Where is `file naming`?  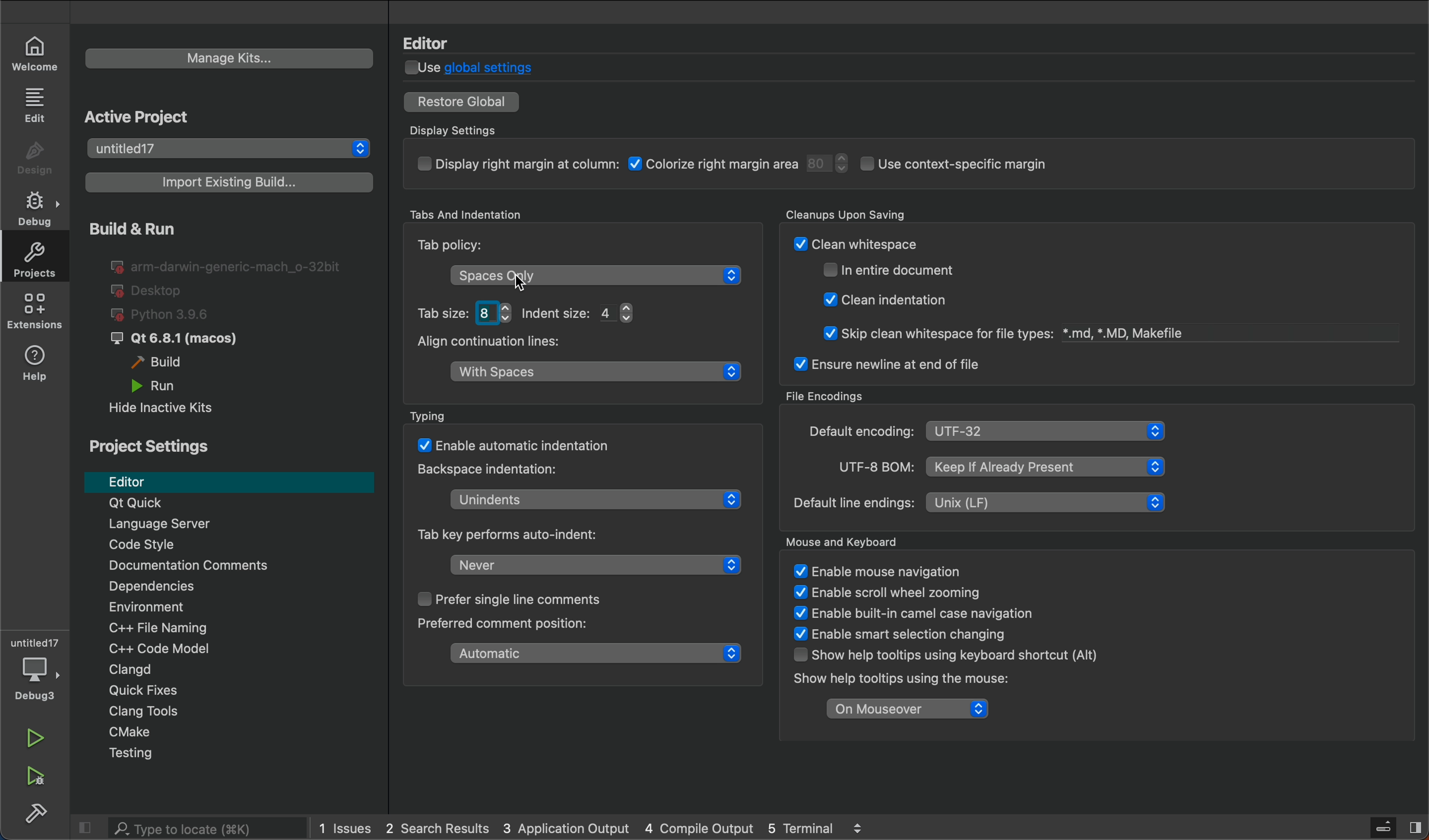 file naming is located at coordinates (244, 629).